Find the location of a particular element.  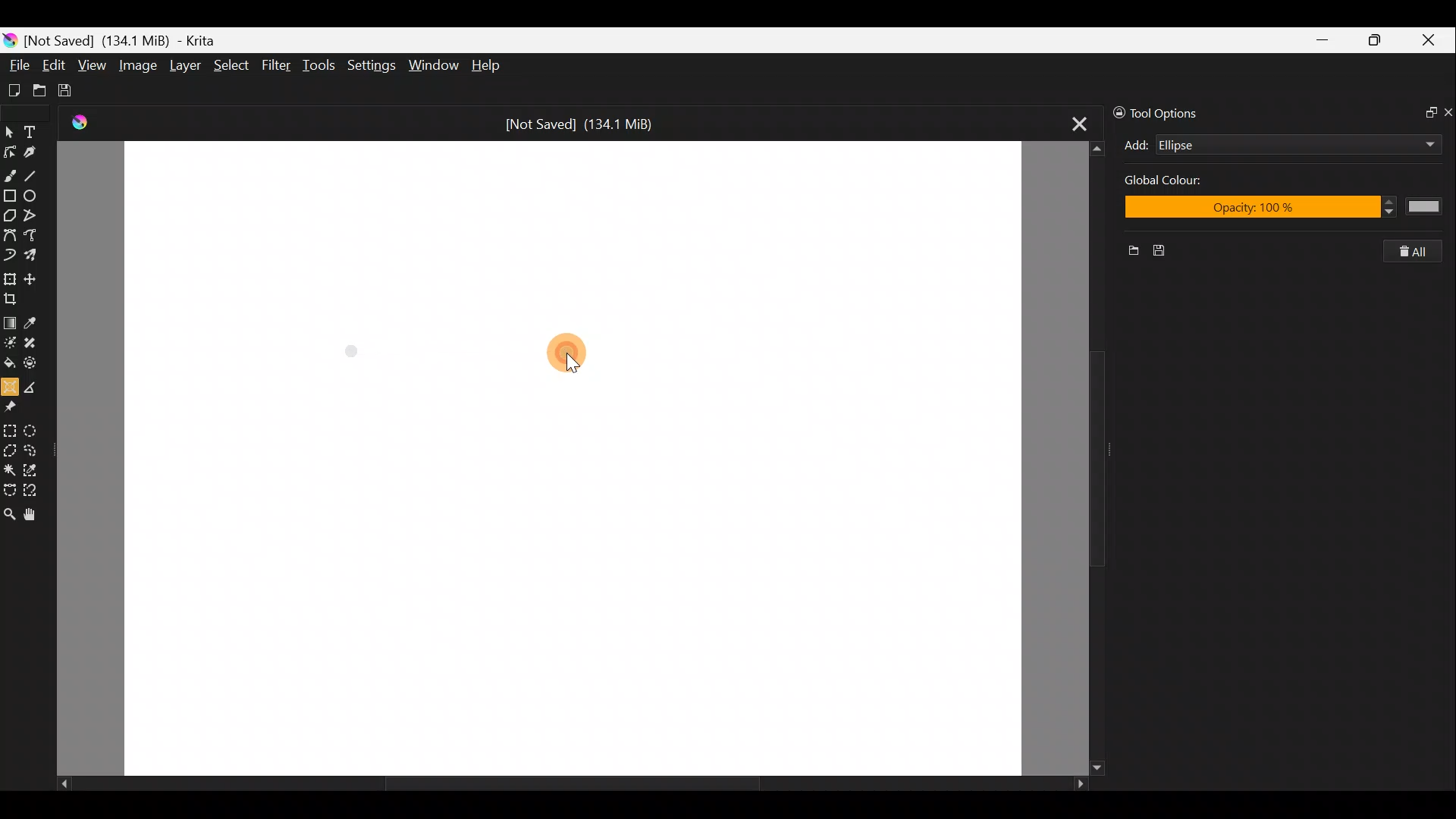

Scroll bar is located at coordinates (560, 784).